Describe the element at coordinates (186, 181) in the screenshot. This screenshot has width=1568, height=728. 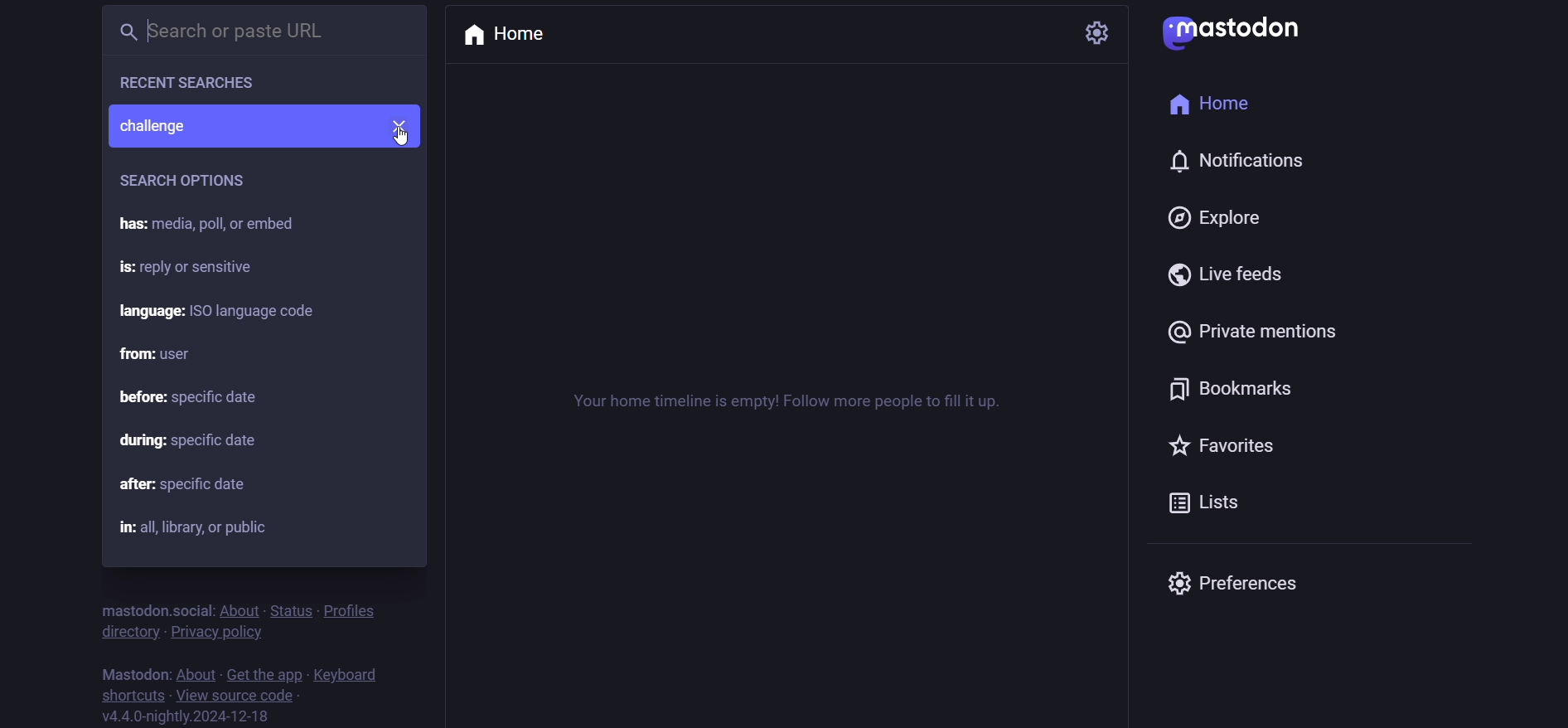
I see `search option` at that location.